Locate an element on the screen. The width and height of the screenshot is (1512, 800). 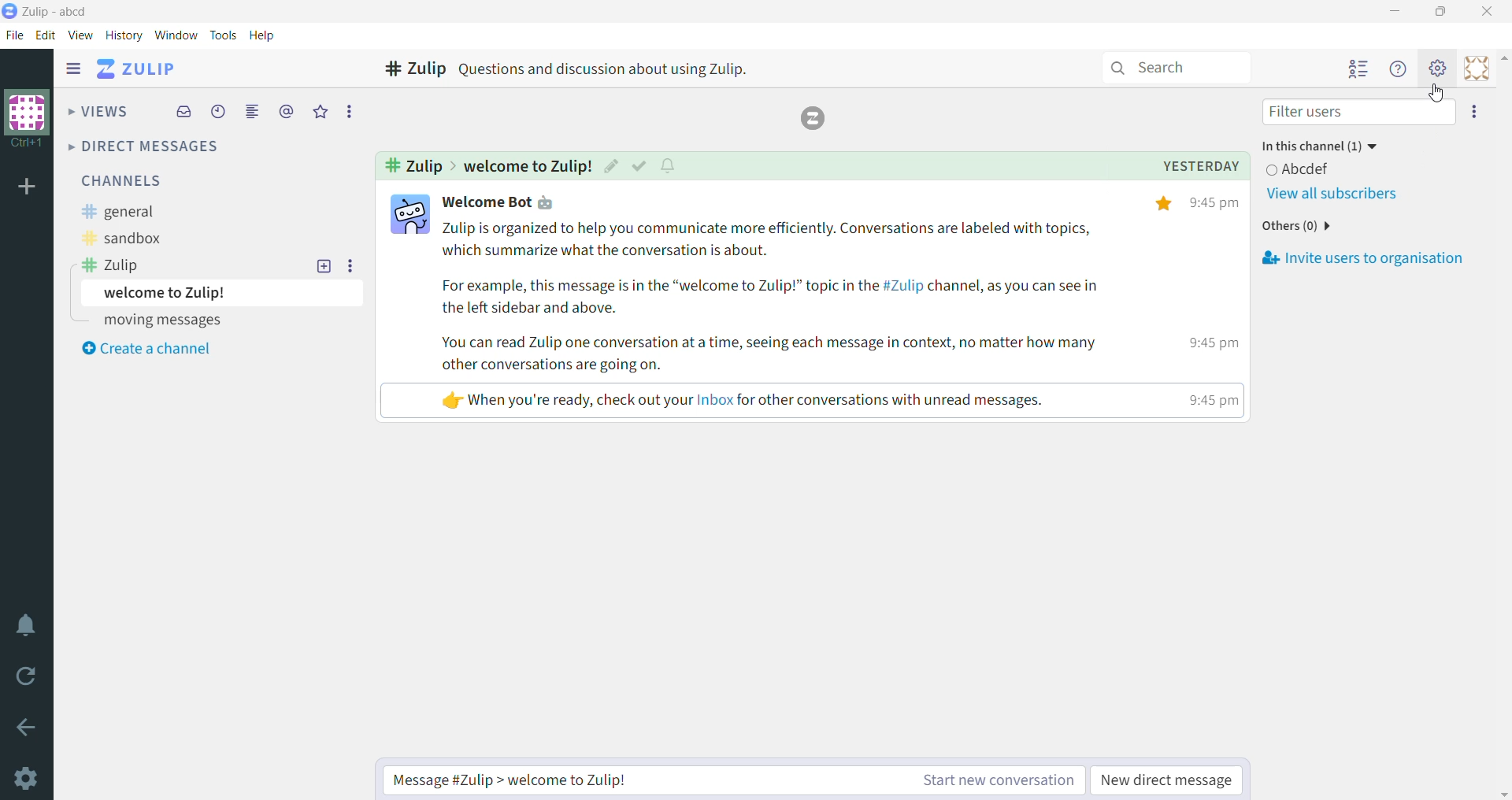
Application Logo is located at coordinates (9, 12).